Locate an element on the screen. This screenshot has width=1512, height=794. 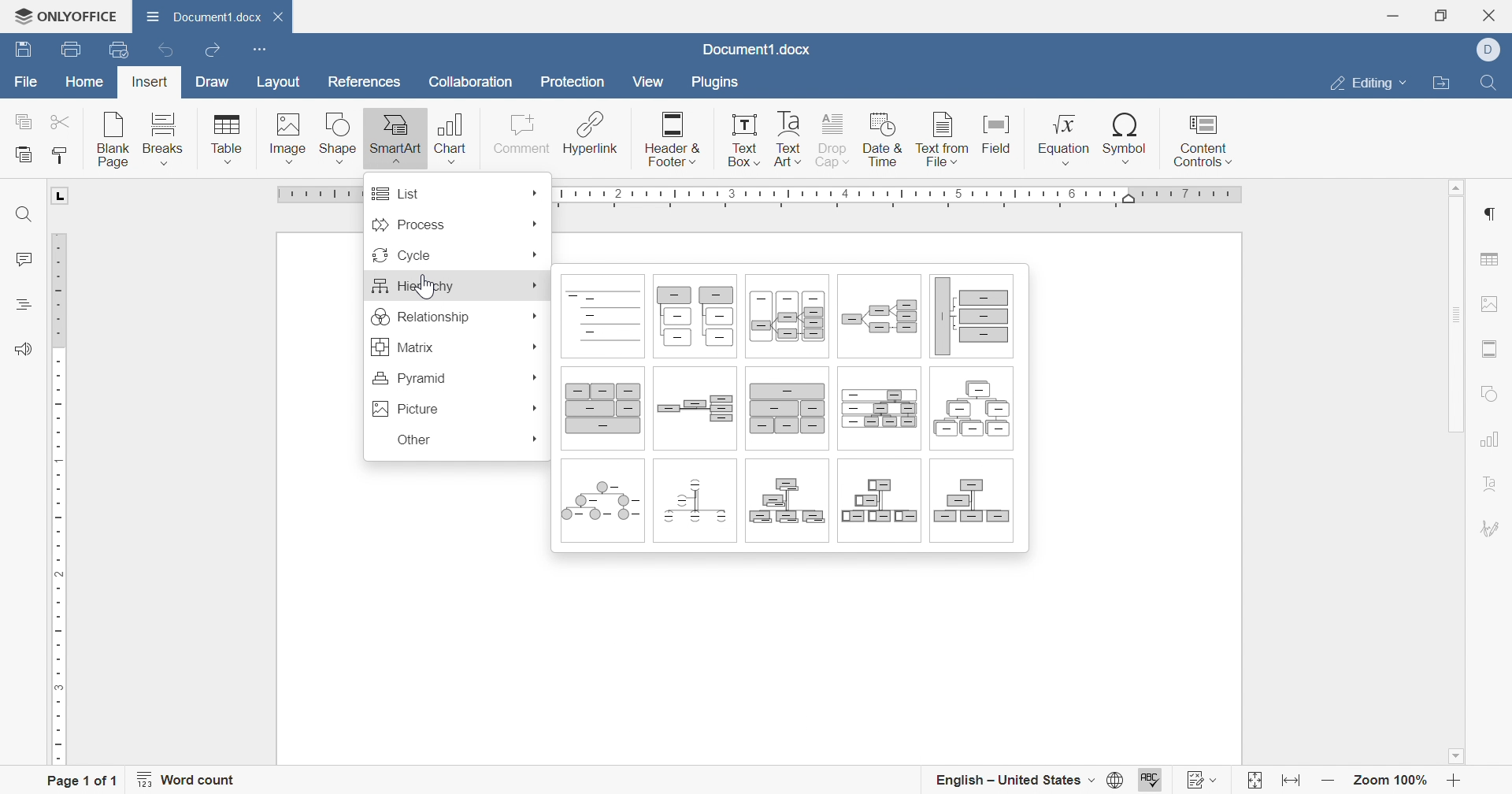
Chart is located at coordinates (453, 138).